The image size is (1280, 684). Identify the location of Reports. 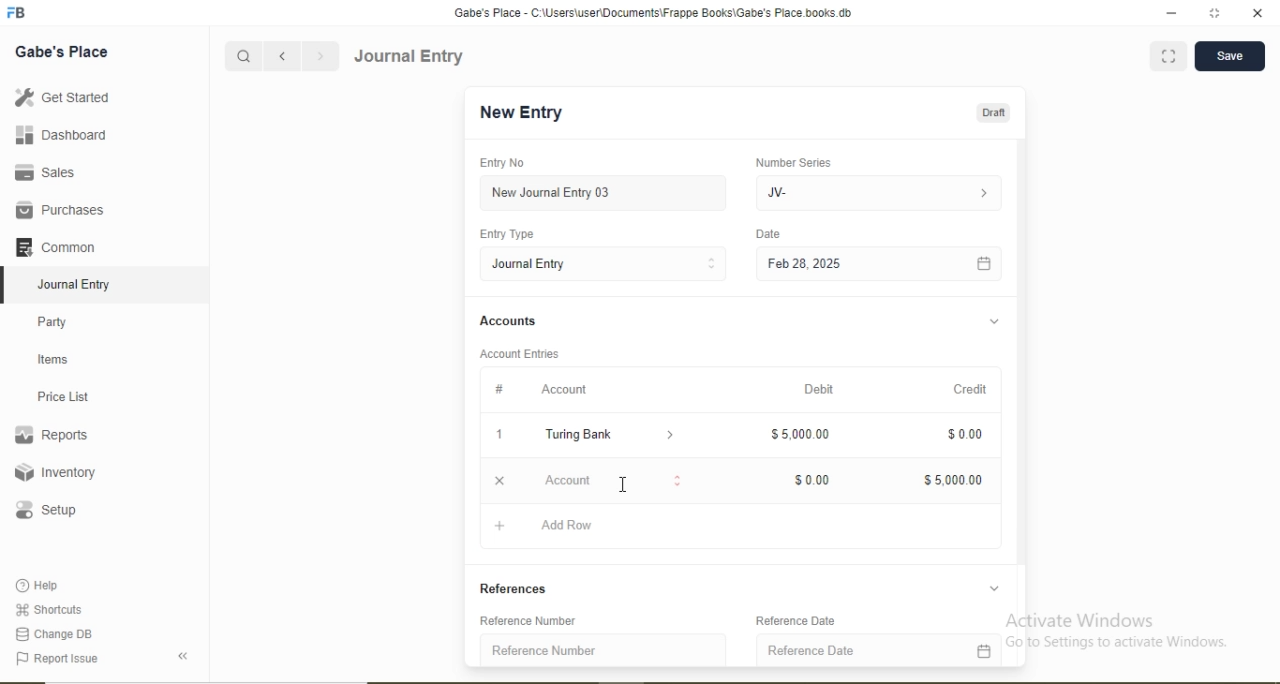
(51, 435).